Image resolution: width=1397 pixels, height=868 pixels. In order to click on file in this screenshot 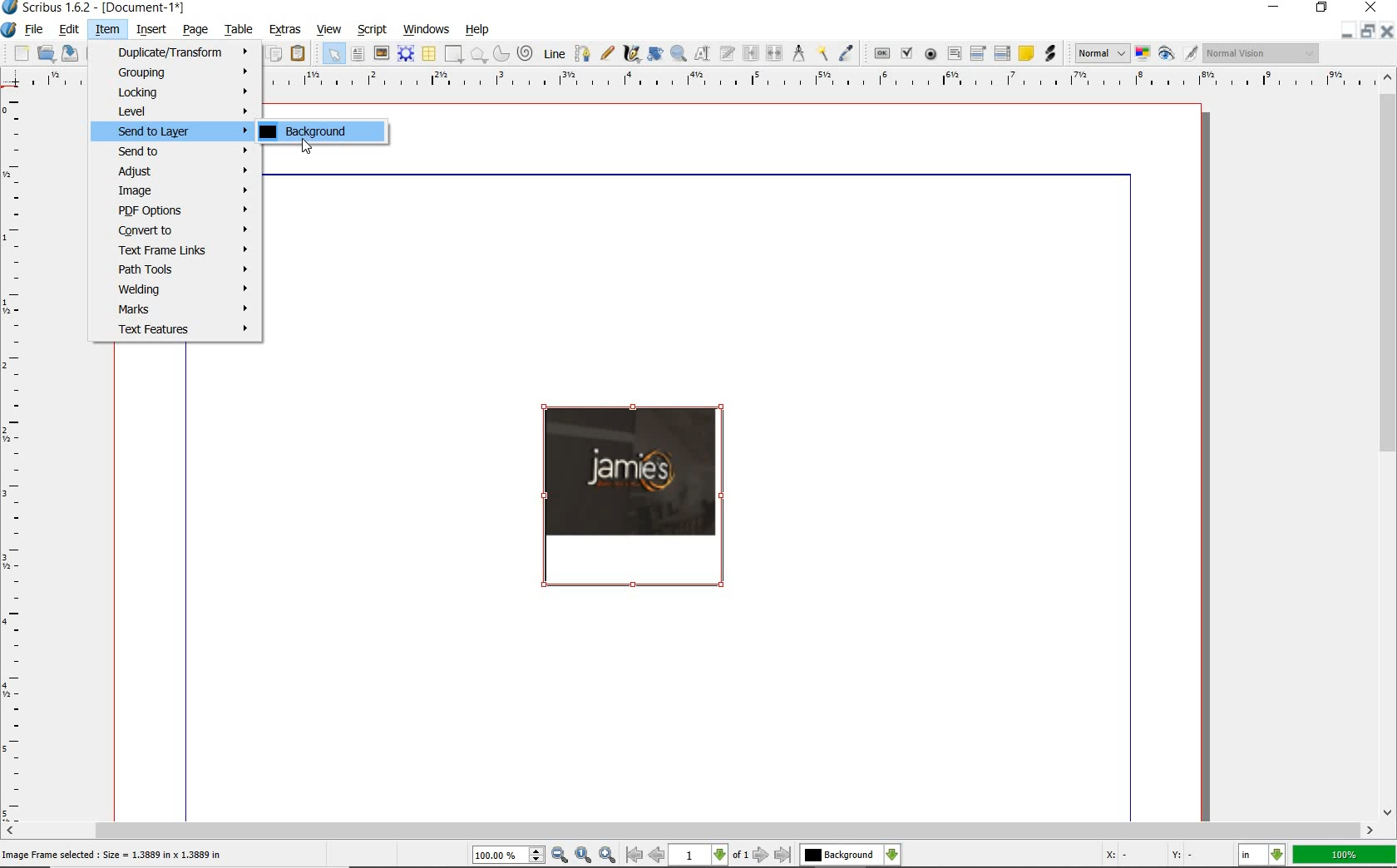, I will do `click(38, 28)`.